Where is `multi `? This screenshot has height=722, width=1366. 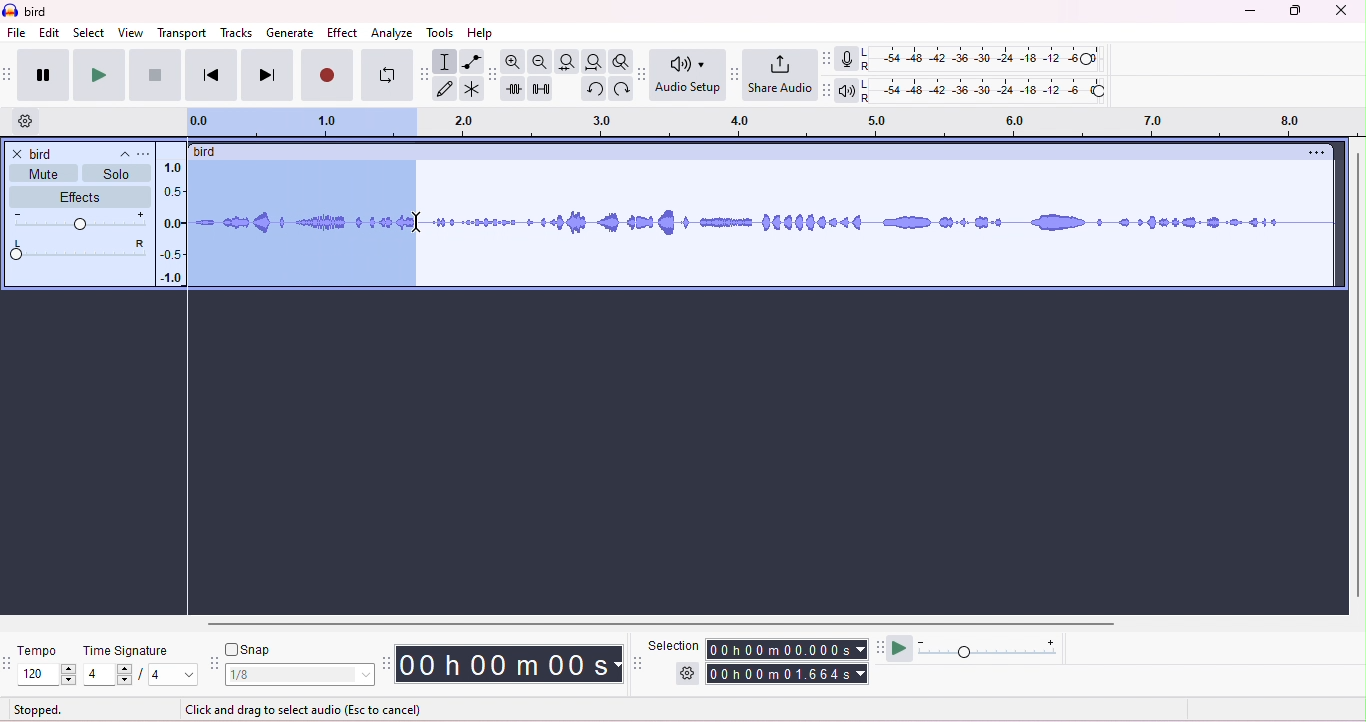
multi  is located at coordinates (470, 89).